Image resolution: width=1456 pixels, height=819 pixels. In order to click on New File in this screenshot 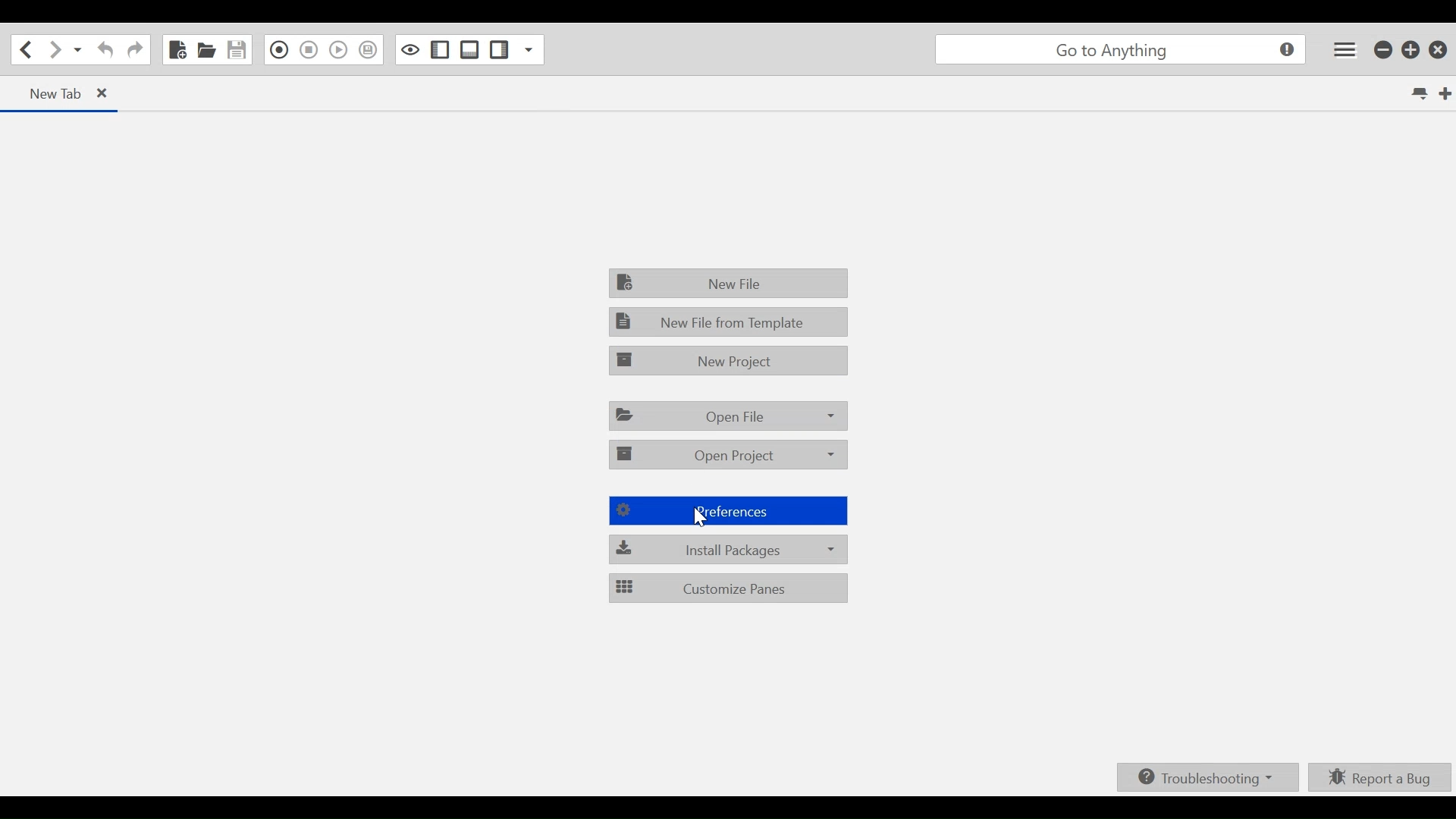, I will do `click(730, 284)`.